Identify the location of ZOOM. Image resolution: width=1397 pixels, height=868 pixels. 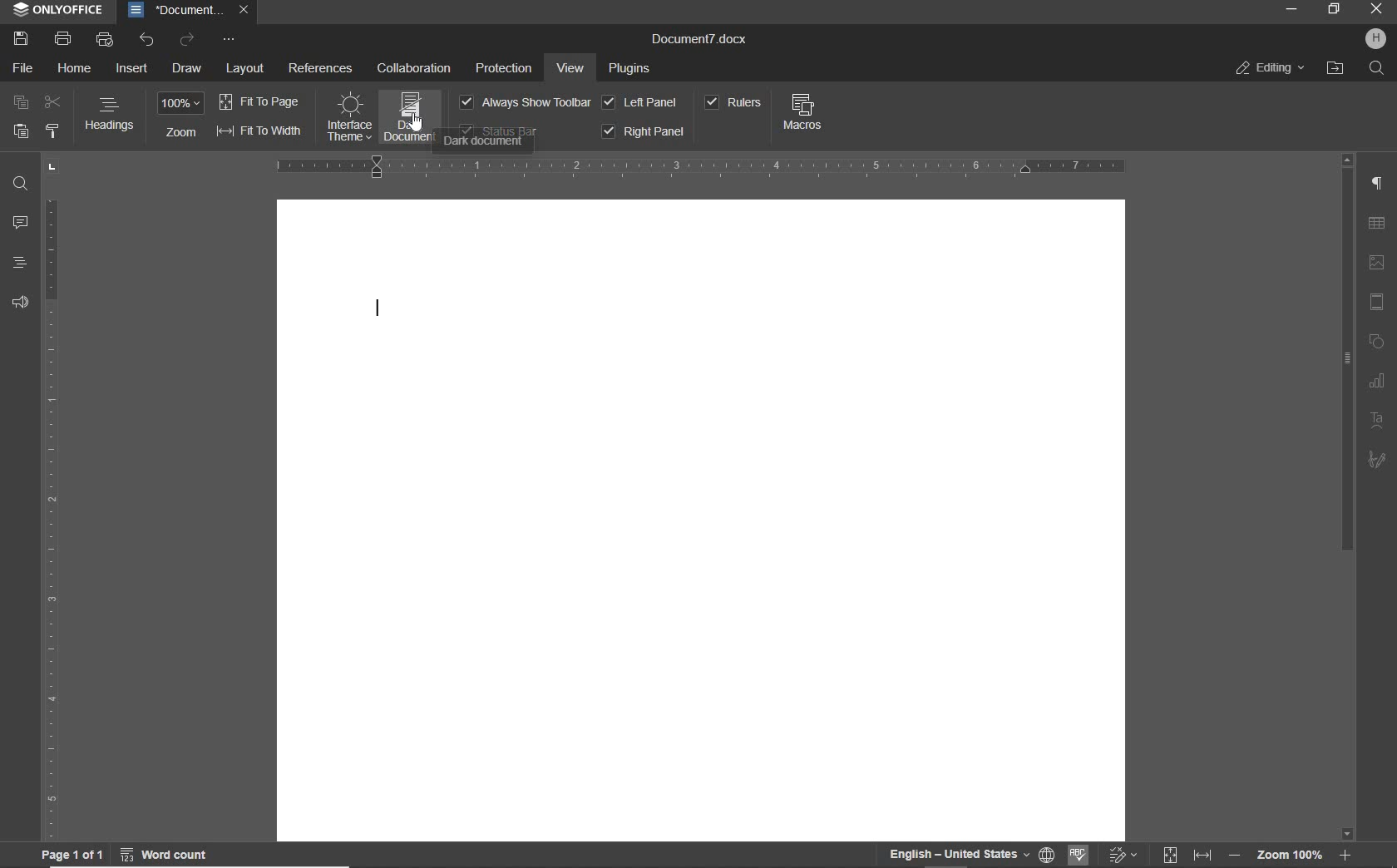
(182, 105).